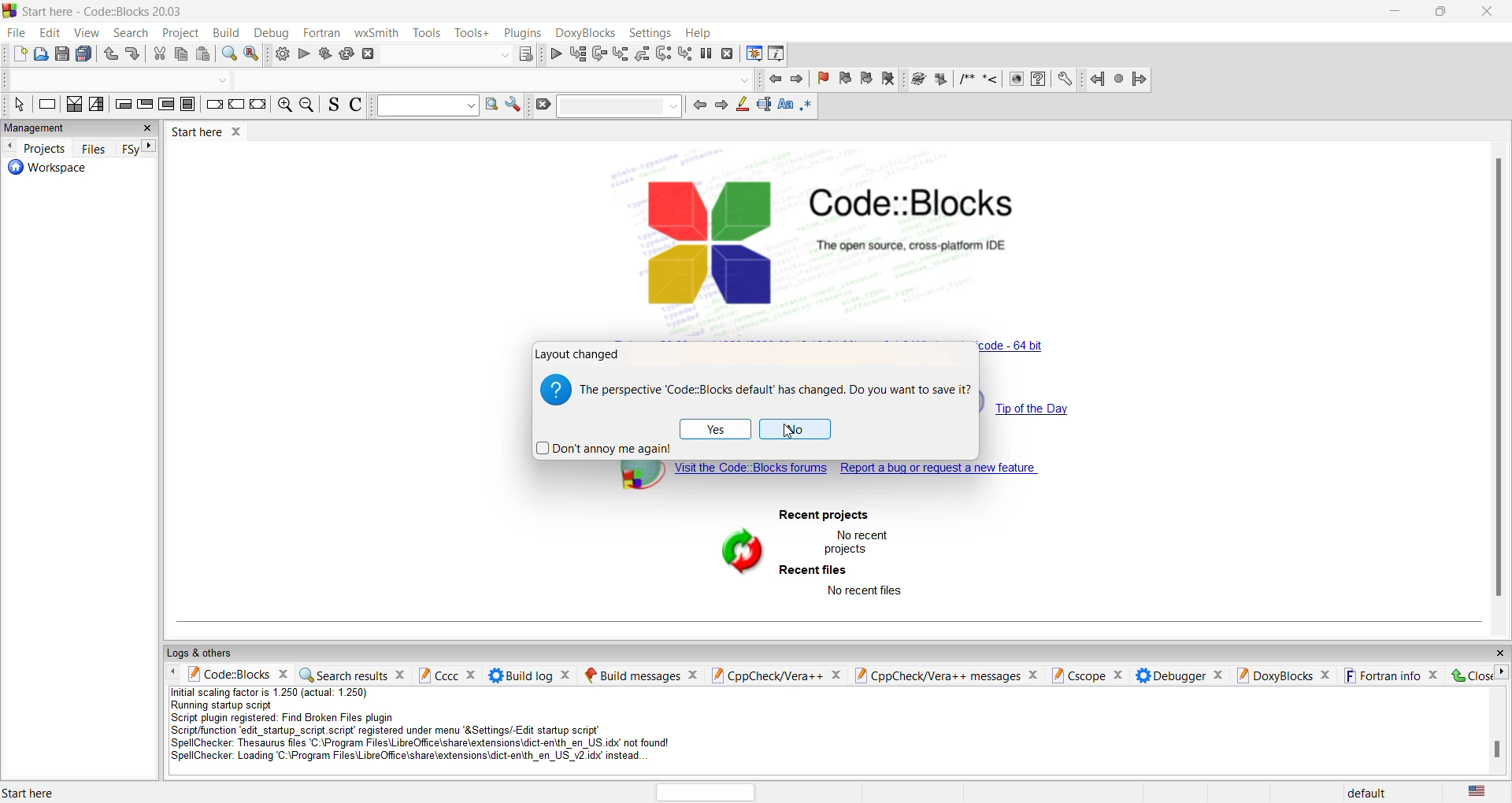  I want to click on build log pane, so click(530, 674).